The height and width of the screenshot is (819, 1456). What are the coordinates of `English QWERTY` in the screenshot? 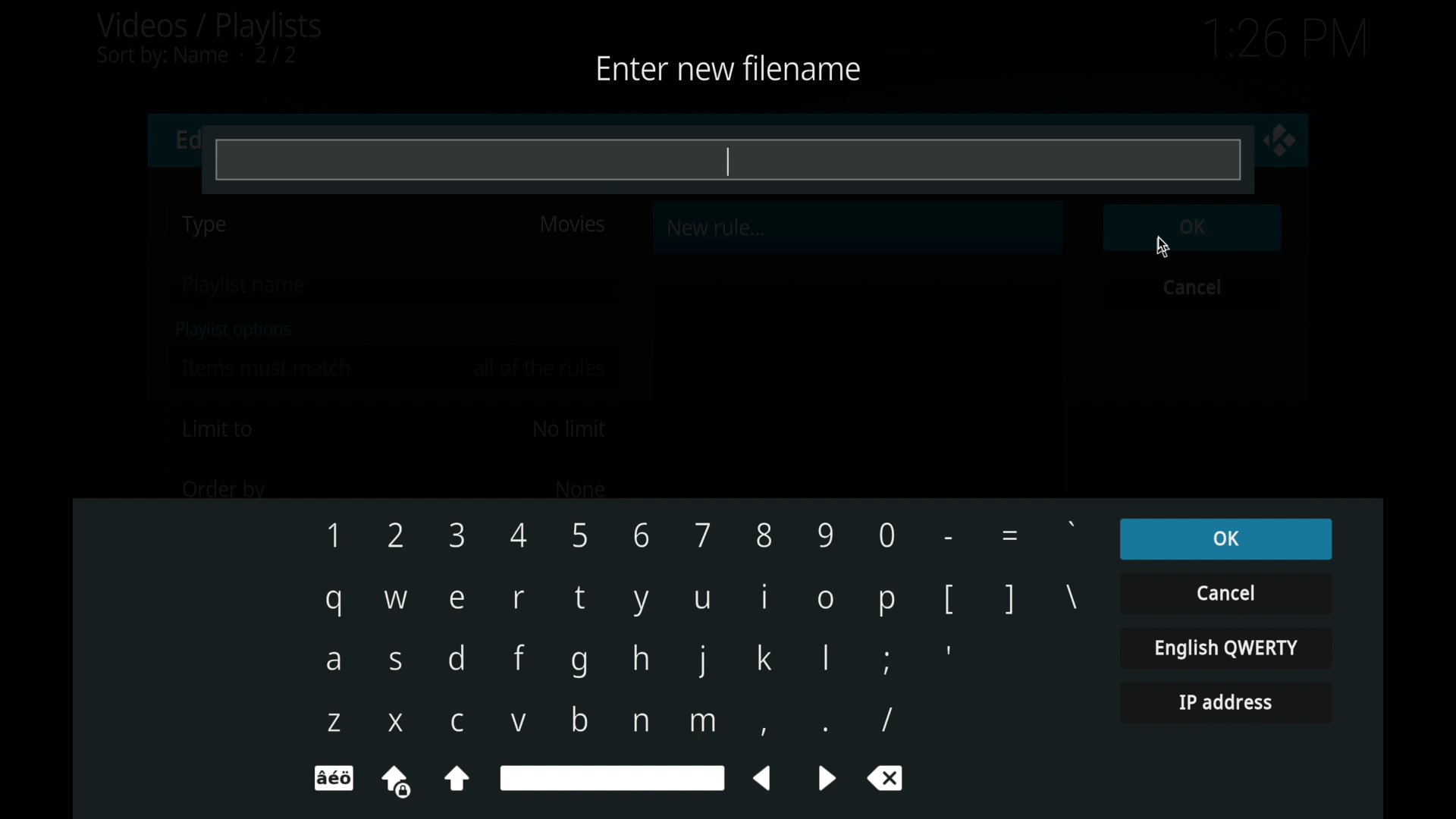 It's located at (1225, 647).